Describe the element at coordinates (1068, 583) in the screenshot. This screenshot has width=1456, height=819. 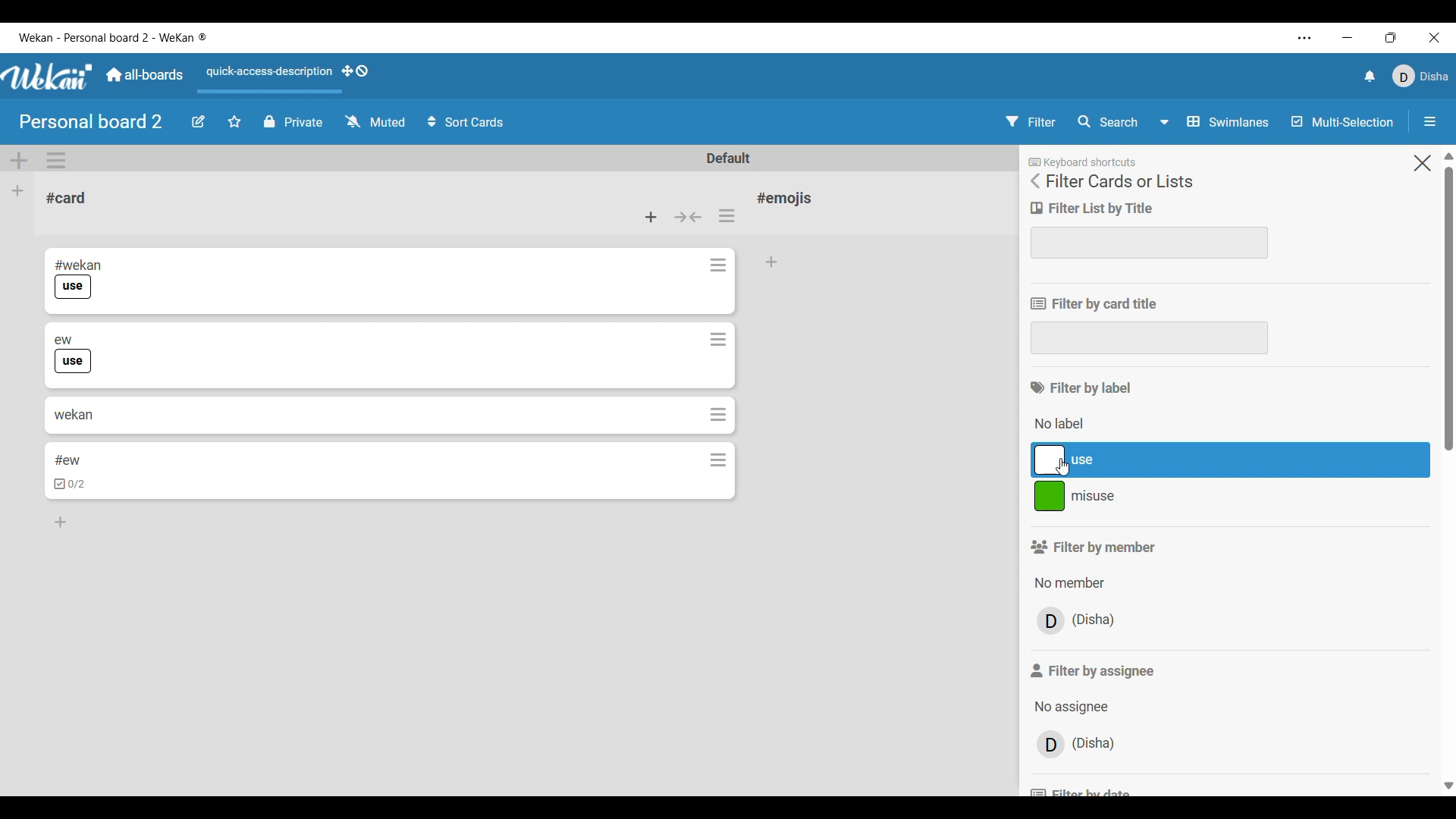
I see `Options under filter by member` at that location.